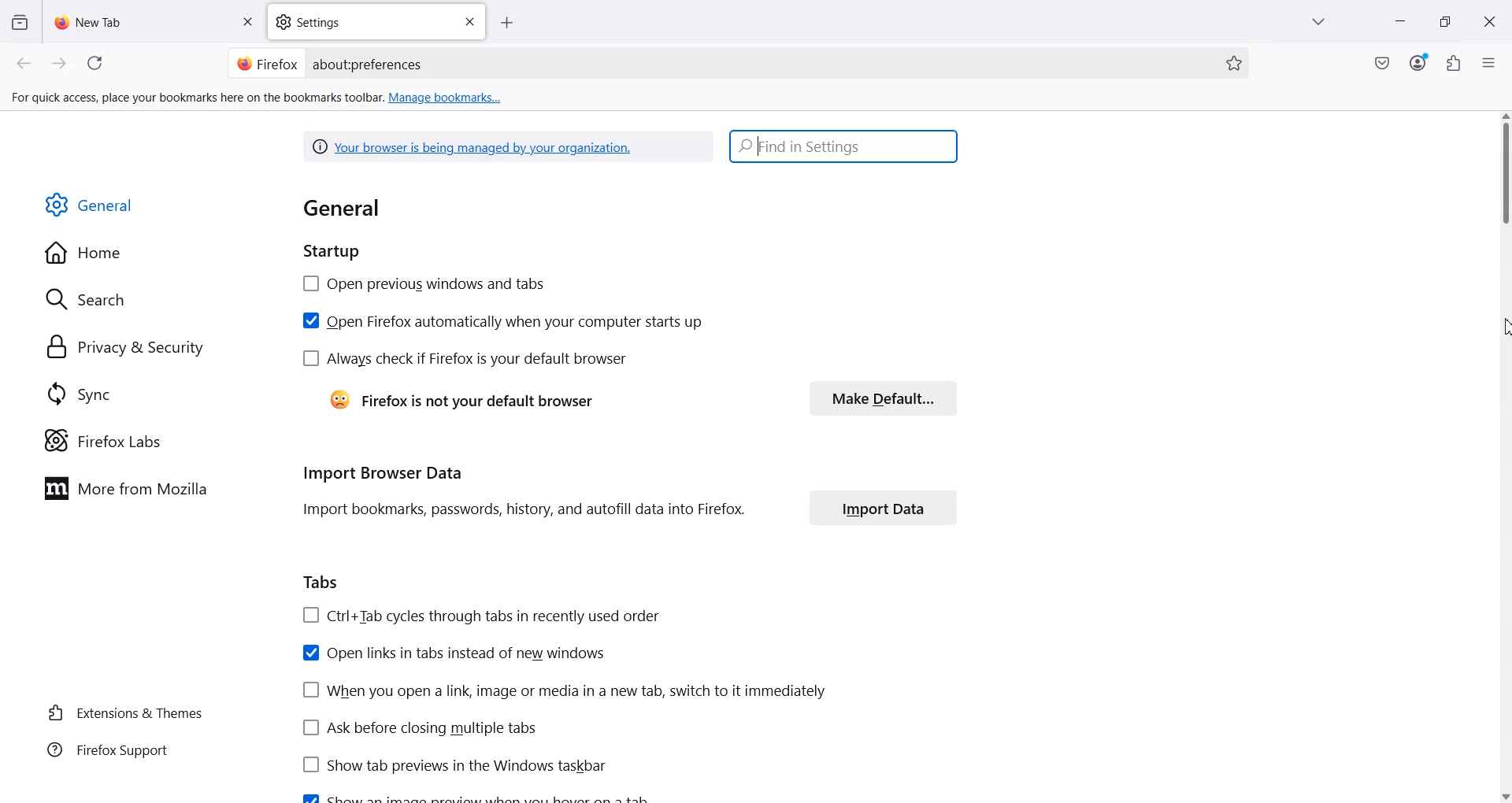 This screenshot has width=1512, height=803. Describe the element at coordinates (93, 298) in the screenshot. I see `Q Search` at that location.